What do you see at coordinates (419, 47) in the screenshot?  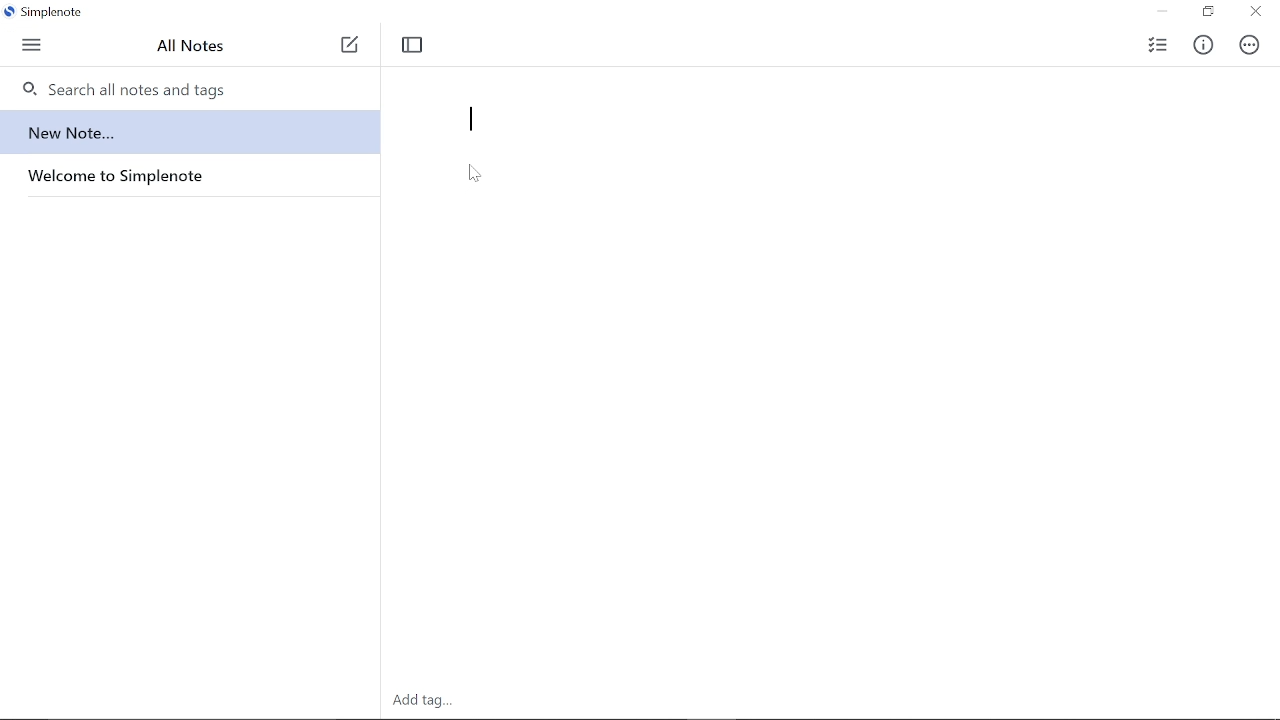 I see `Toggle focus mode` at bounding box center [419, 47].